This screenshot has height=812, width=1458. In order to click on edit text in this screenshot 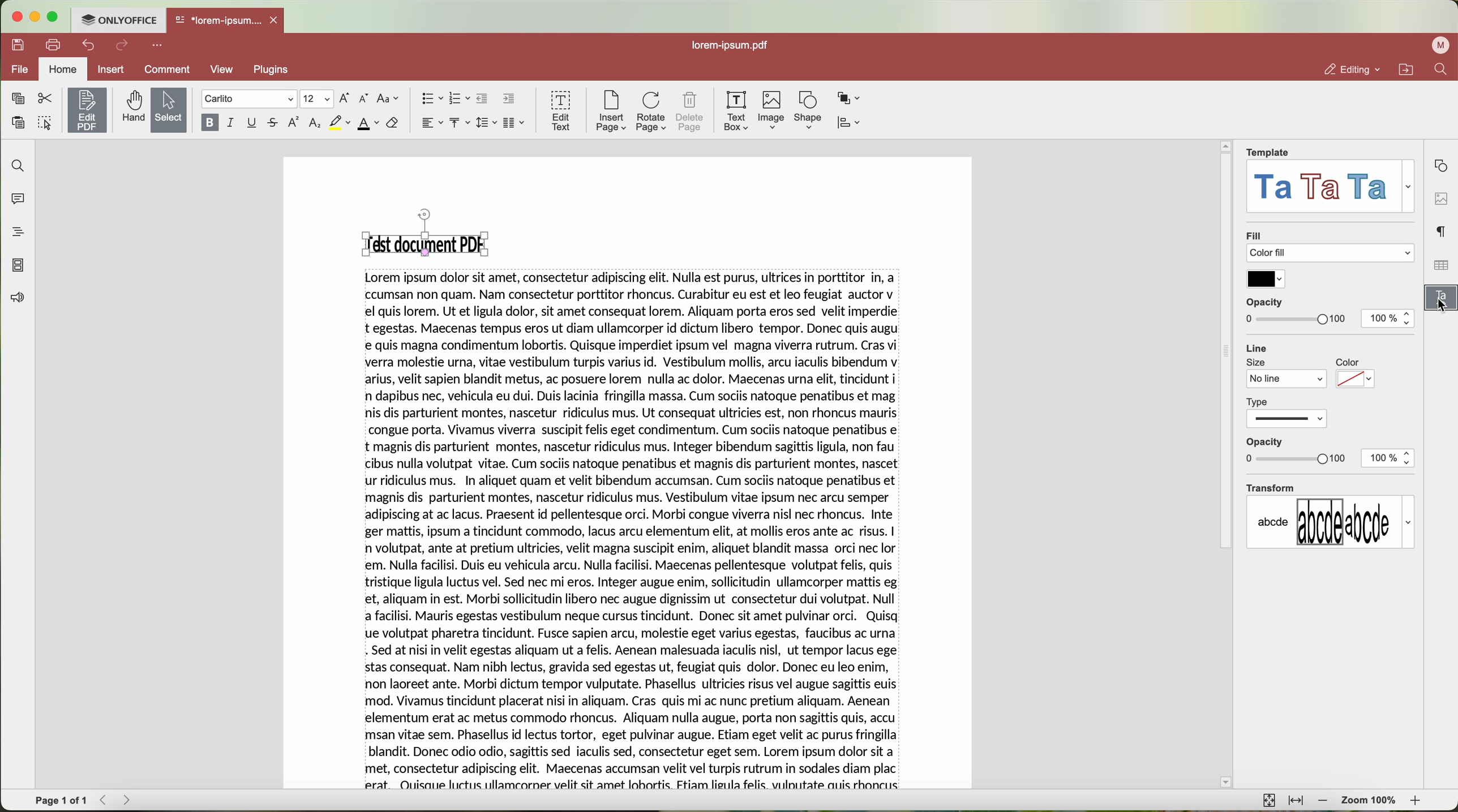, I will do `click(559, 111)`.